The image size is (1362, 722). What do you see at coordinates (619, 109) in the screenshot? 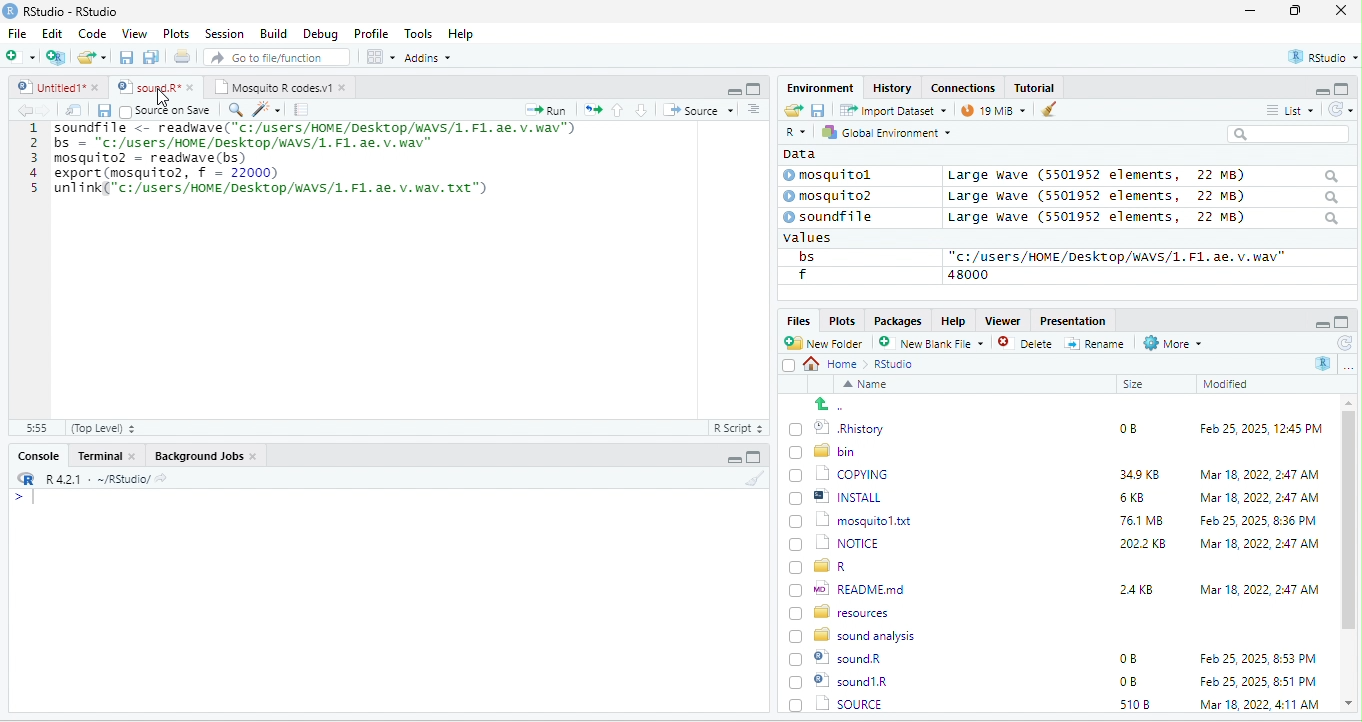
I see `up` at bounding box center [619, 109].